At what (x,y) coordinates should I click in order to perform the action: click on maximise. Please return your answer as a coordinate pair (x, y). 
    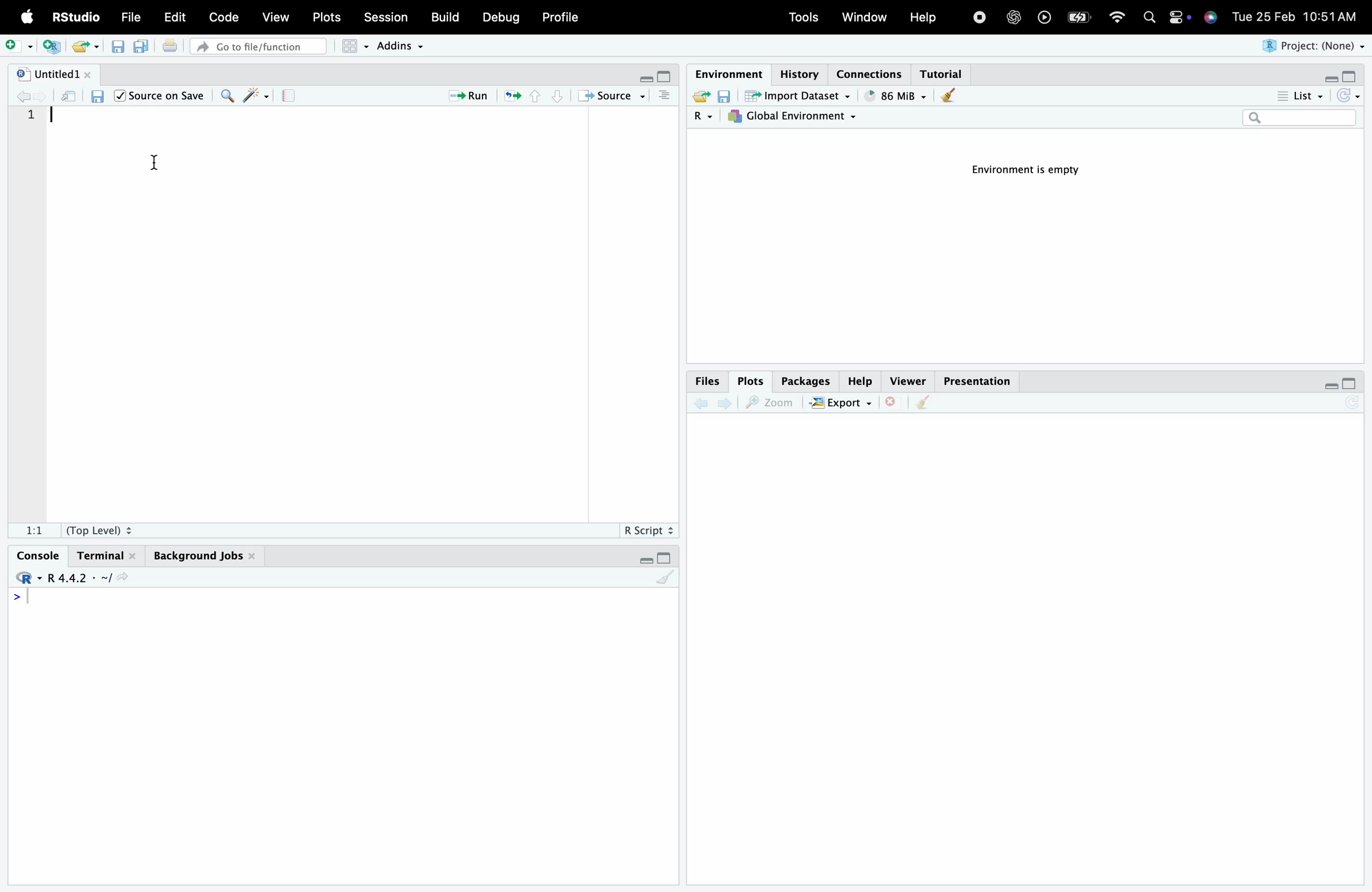
    Looking at the image, I should click on (1352, 383).